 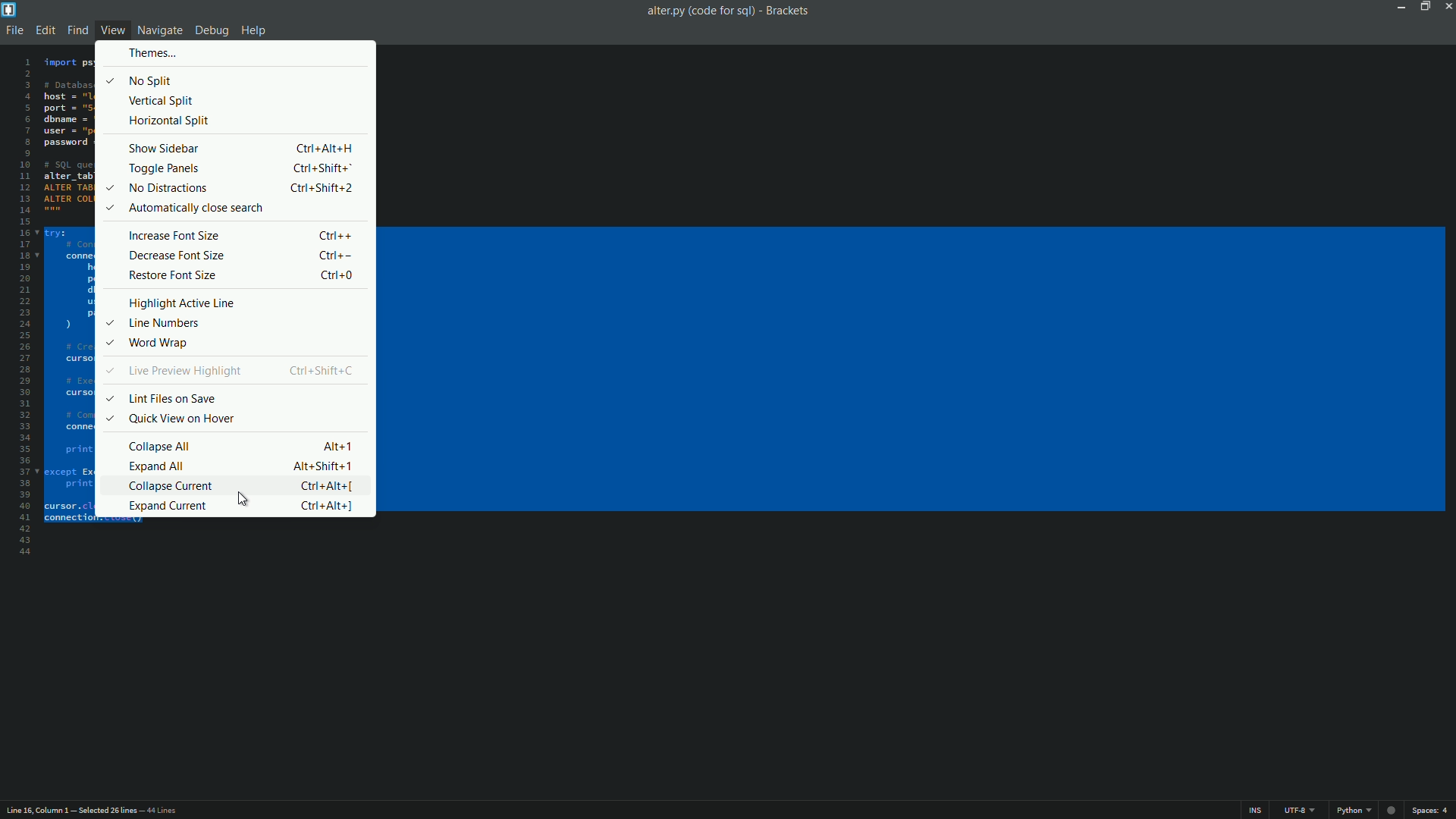 I want to click on no split, so click(x=152, y=81).